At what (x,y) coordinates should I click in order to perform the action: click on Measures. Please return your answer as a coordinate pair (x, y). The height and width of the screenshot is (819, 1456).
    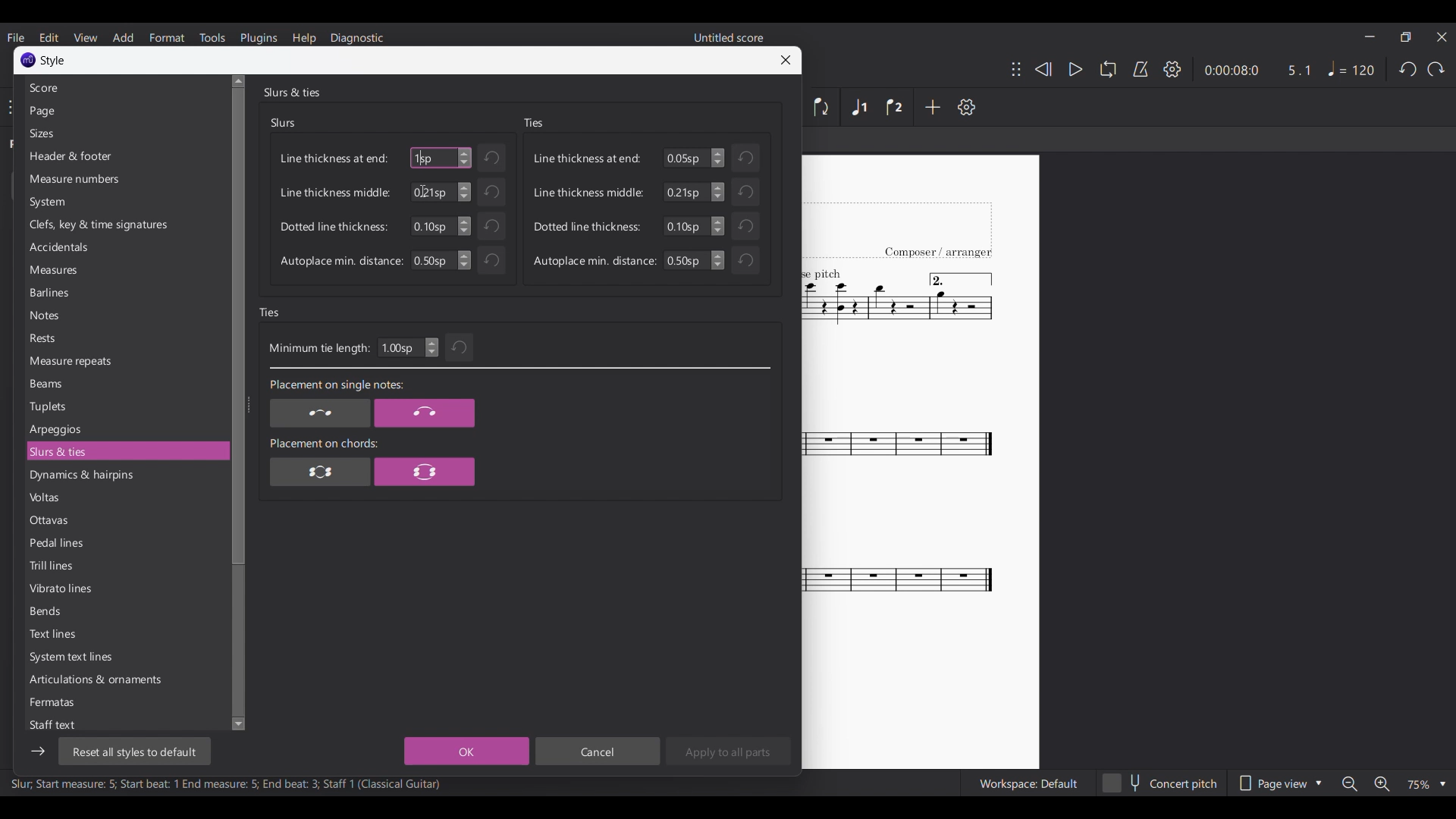
    Looking at the image, I should click on (124, 270).